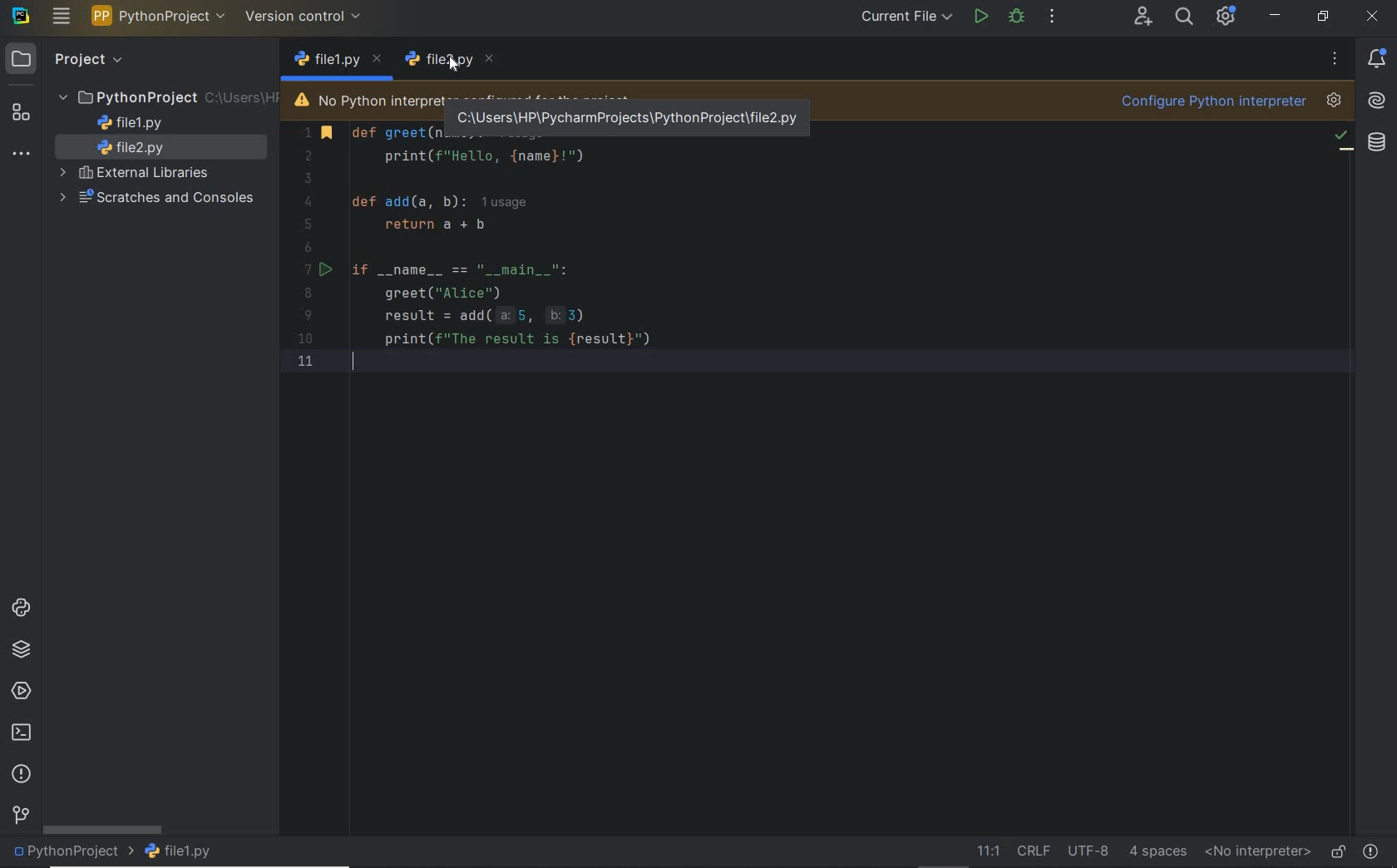 This screenshot has height=868, width=1397. What do you see at coordinates (981, 15) in the screenshot?
I see `run` at bounding box center [981, 15].